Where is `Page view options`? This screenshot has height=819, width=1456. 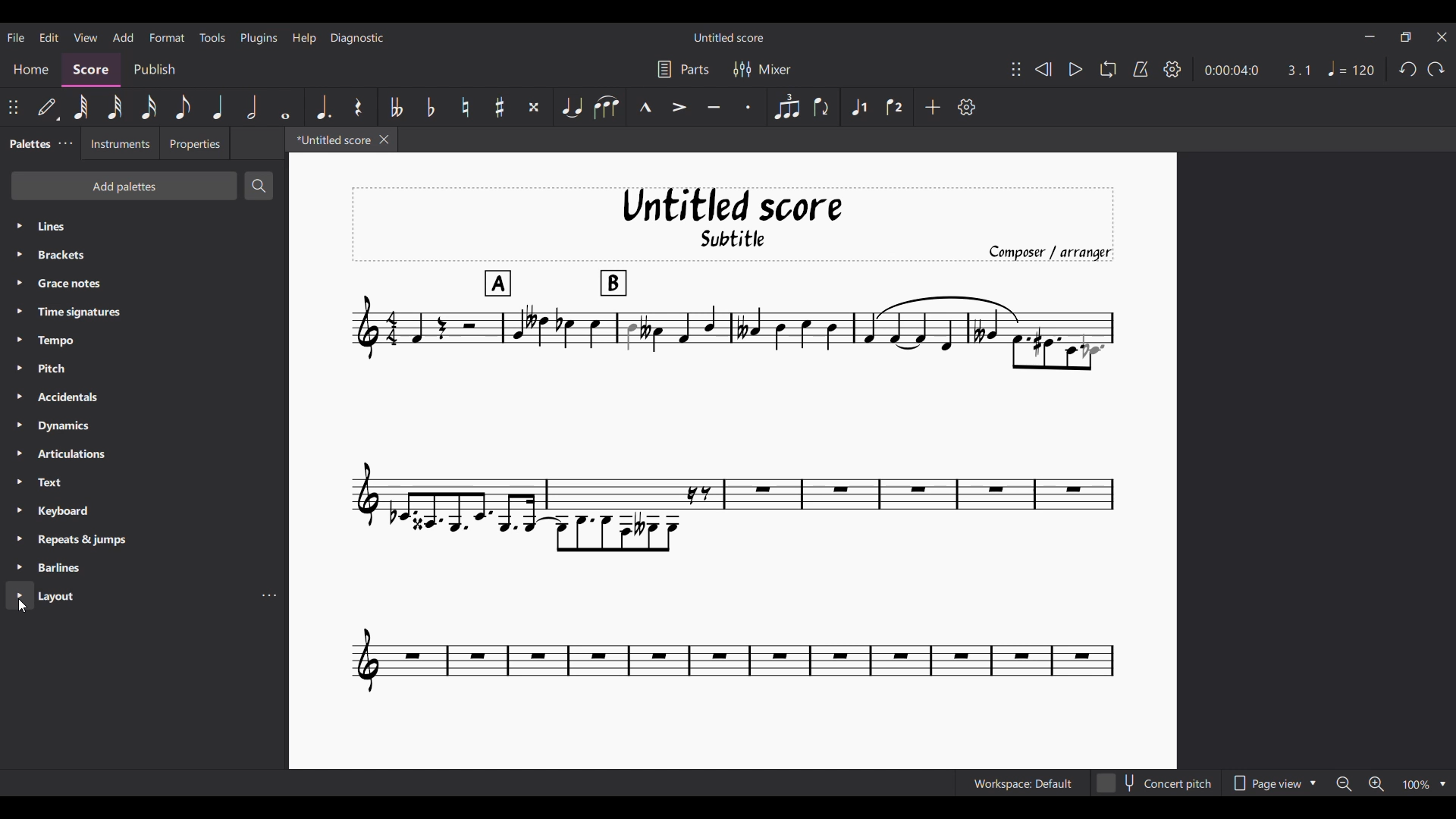
Page view options is located at coordinates (1272, 783).